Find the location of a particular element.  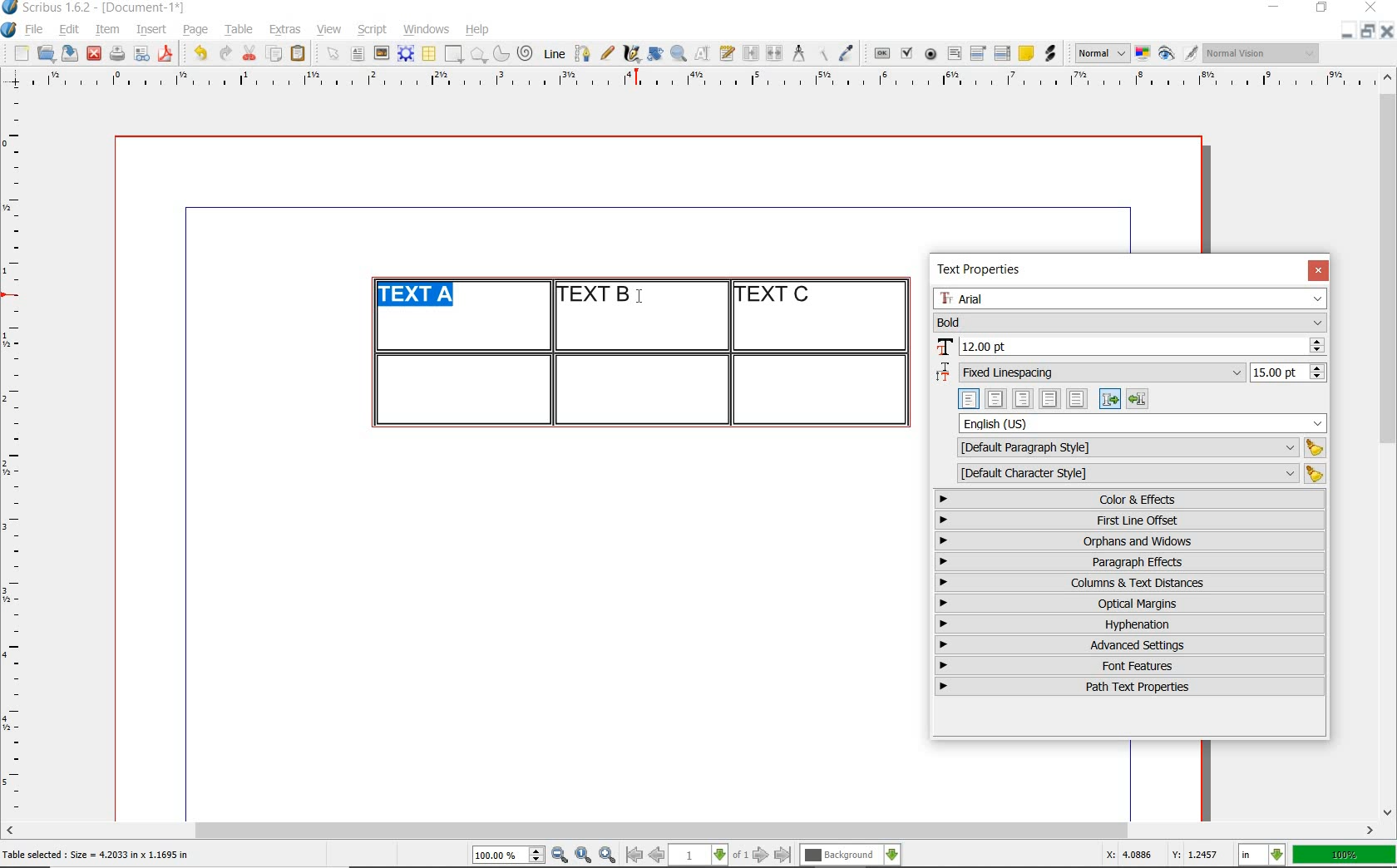

text boldened is located at coordinates (422, 297).